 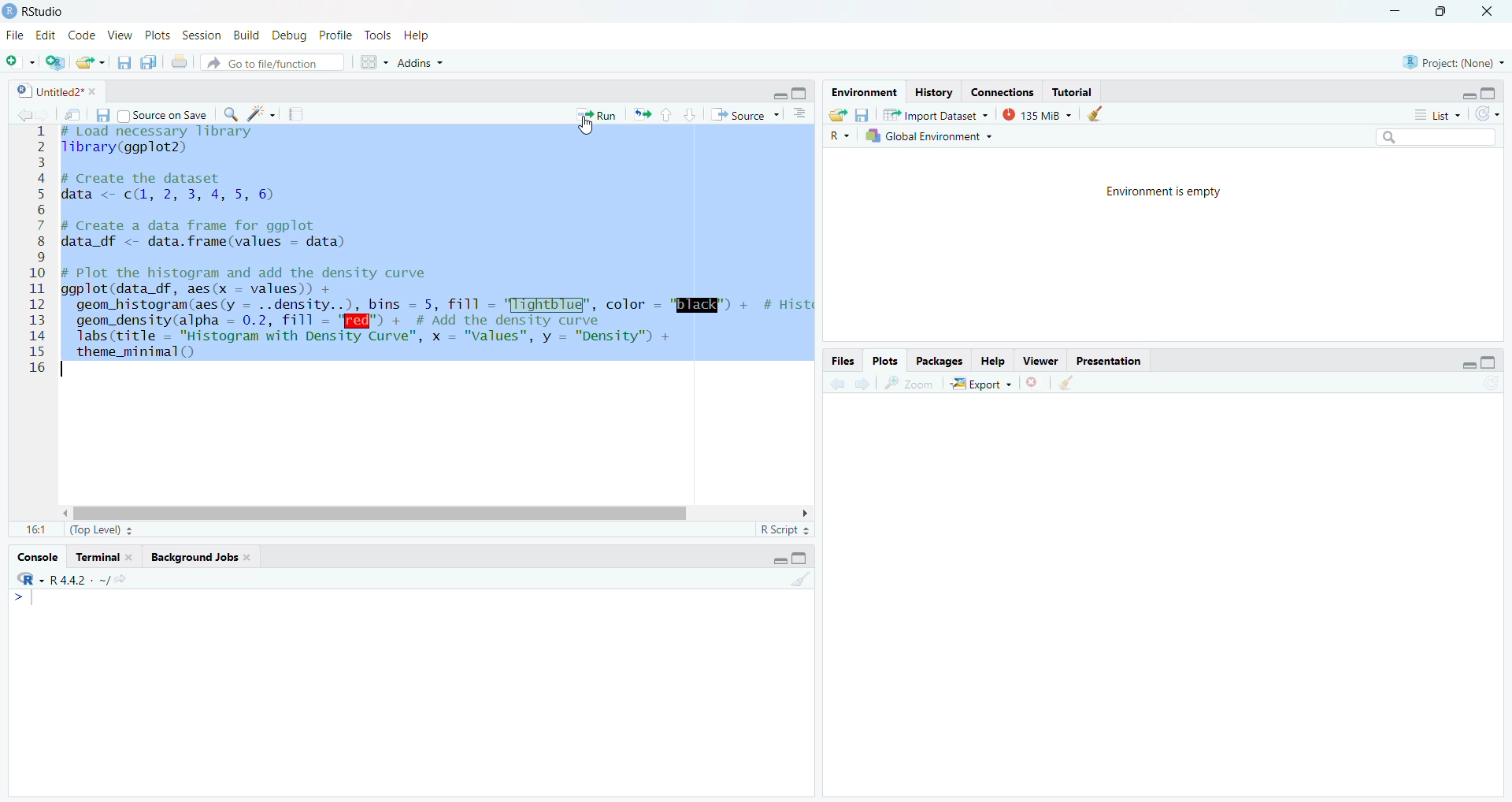 I want to click on go to previous section/chunk, so click(x=665, y=115).